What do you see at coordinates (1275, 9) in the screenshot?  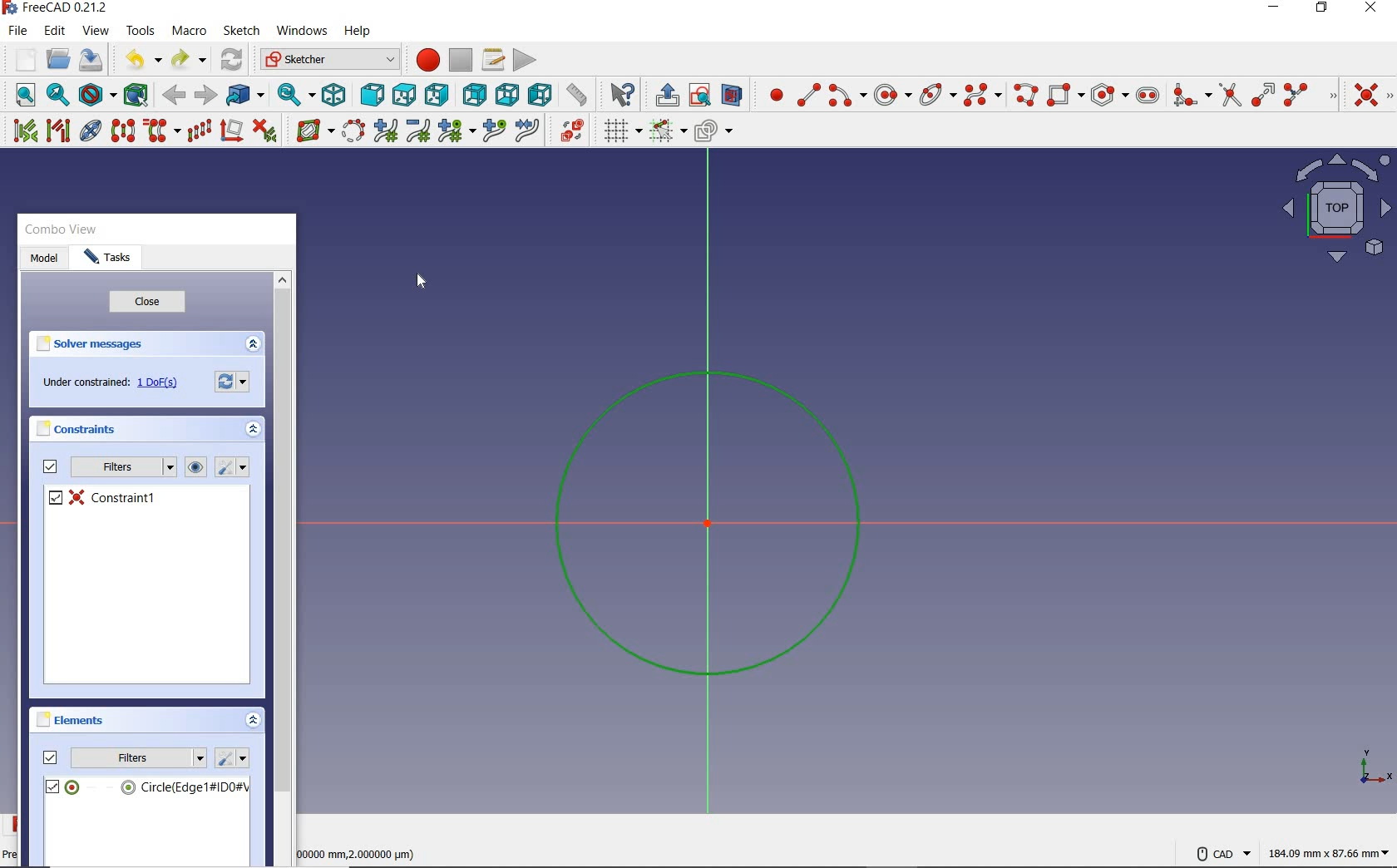 I see `minimize` at bounding box center [1275, 9].